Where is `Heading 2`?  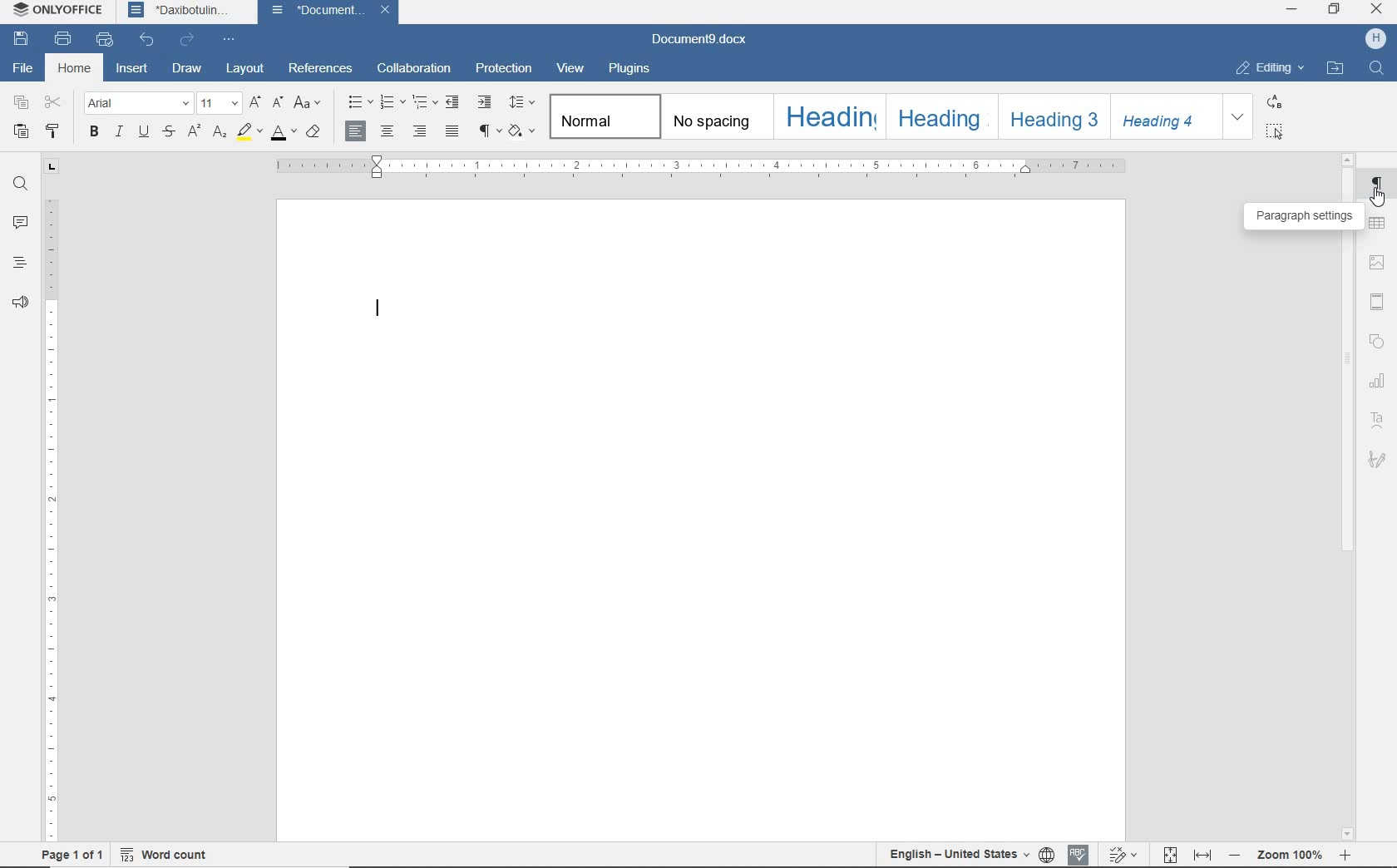 Heading 2 is located at coordinates (940, 116).